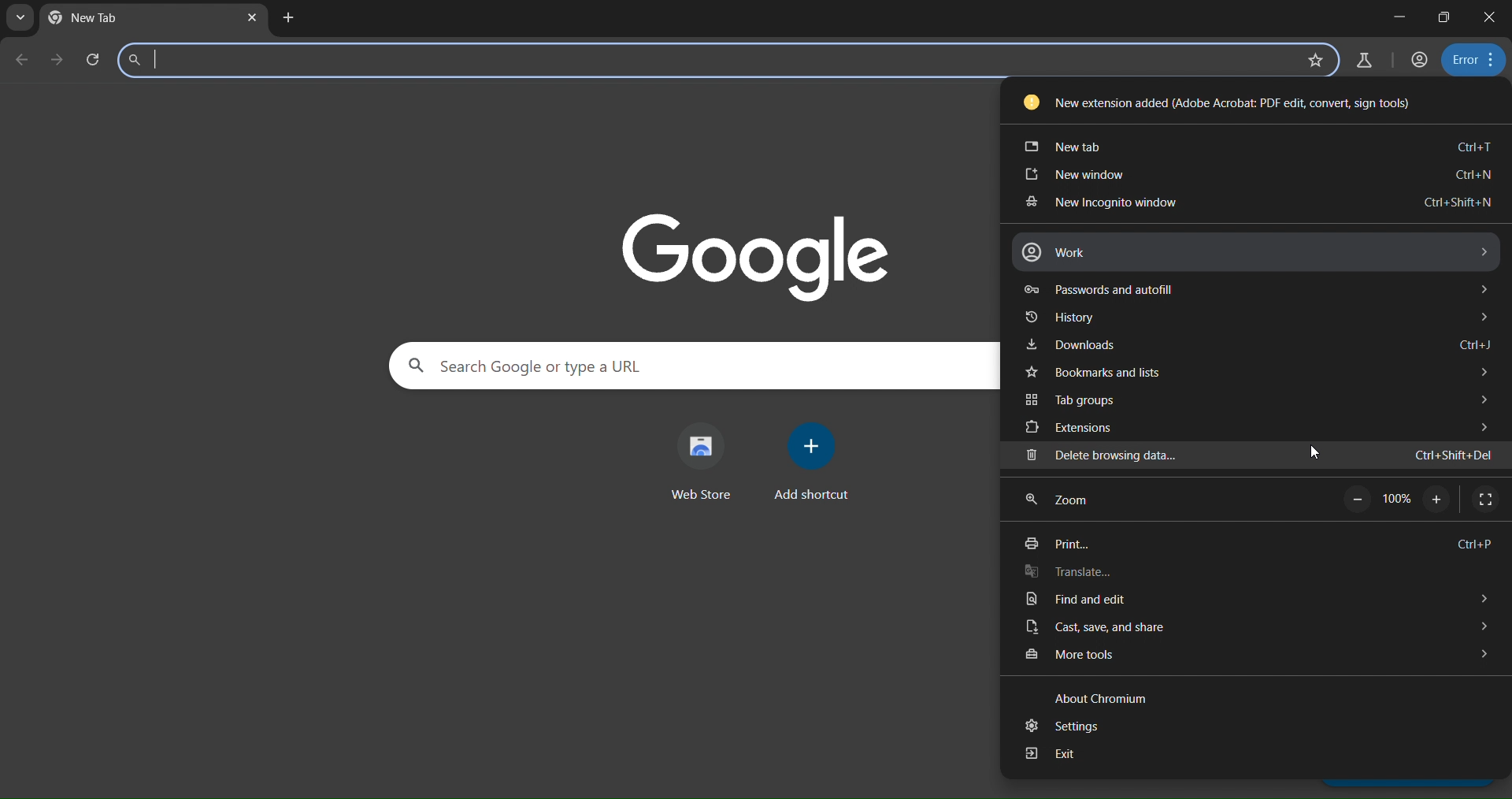  Describe the element at coordinates (1258, 320) in the screenshot. I see `history` at that location.